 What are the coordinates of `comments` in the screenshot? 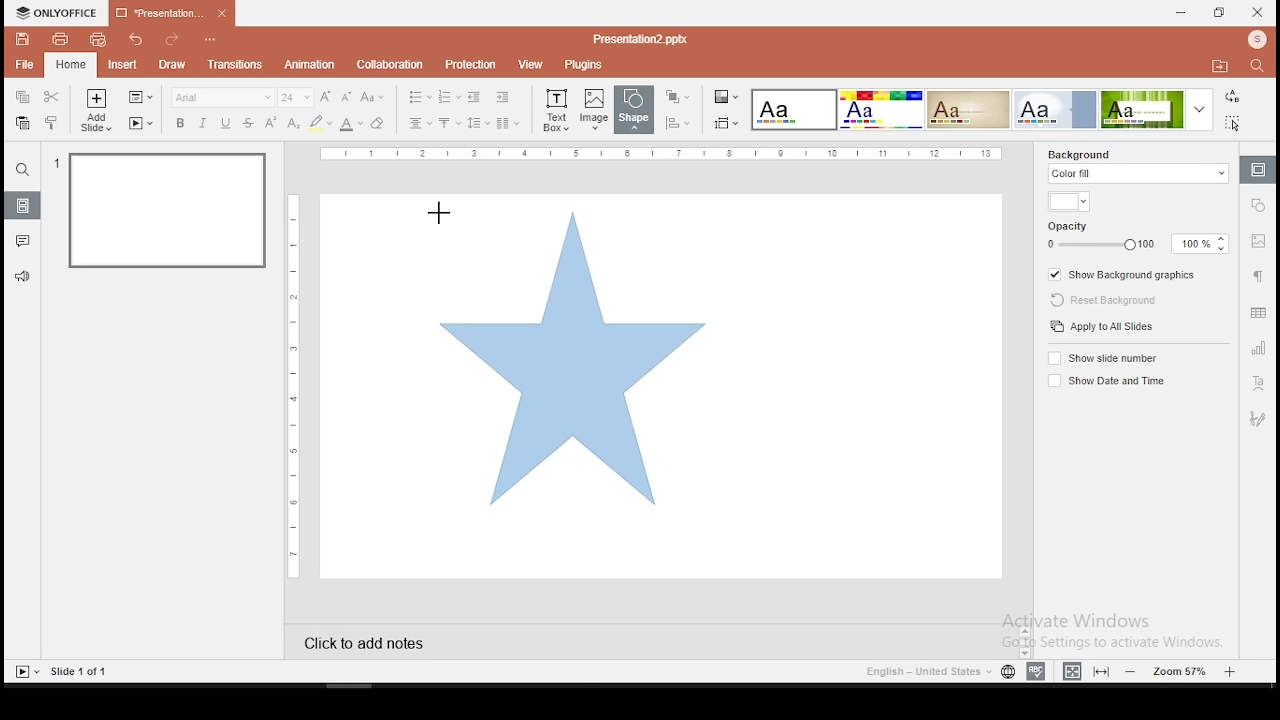 It's located at (22, 241).